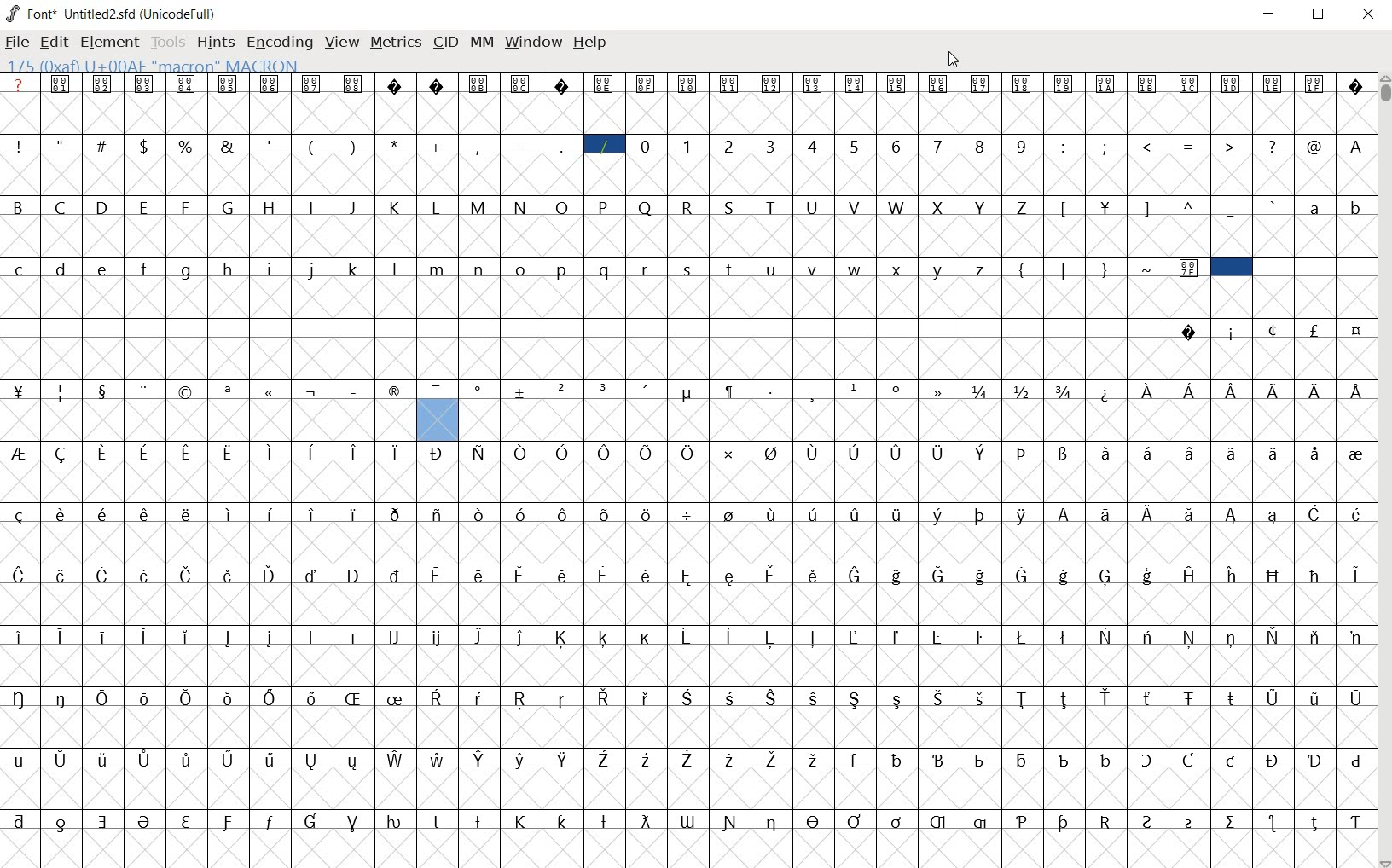 The image size is (1392, 868). I want to click on Symbol, so click(270, 637).